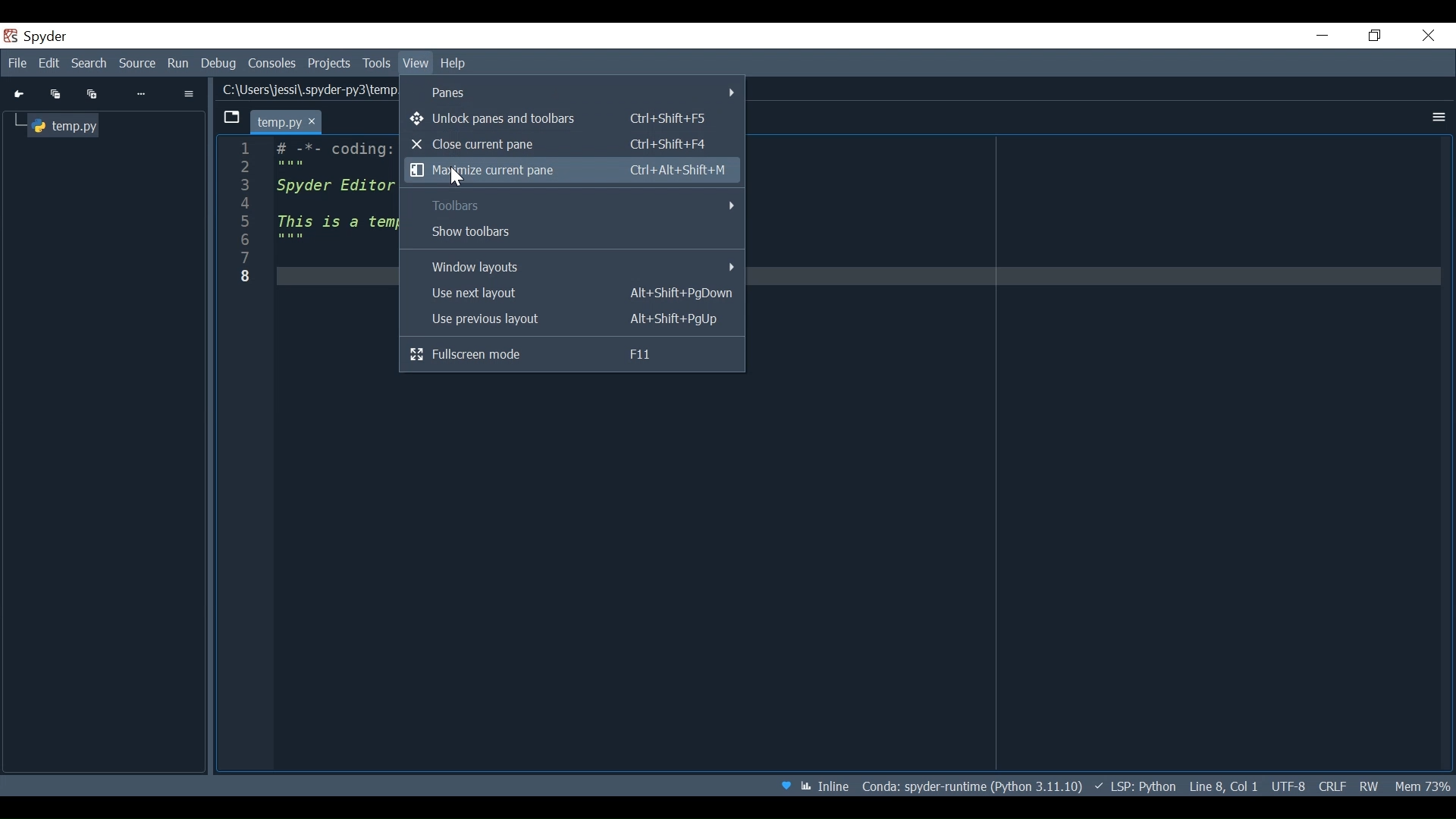 This screenshot has height=819, width=1456. I want to click on browse tab, so click(232, 115).